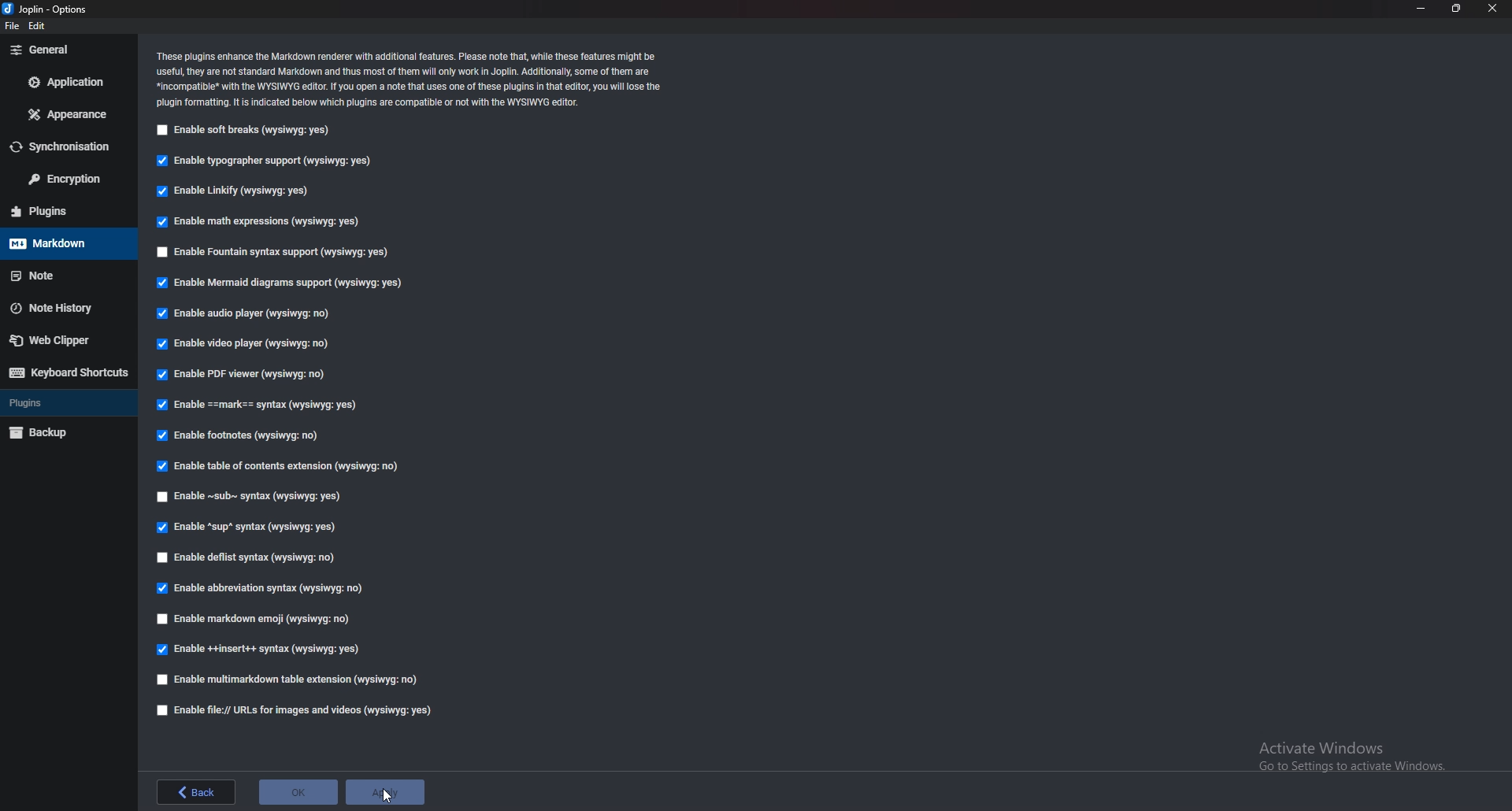 The width and height of the screenshot is (1512, 811). What do you see at coordinates (244, 130) in the screenshot?
I see `enable soft breaks` at bounding box center [244, 130].